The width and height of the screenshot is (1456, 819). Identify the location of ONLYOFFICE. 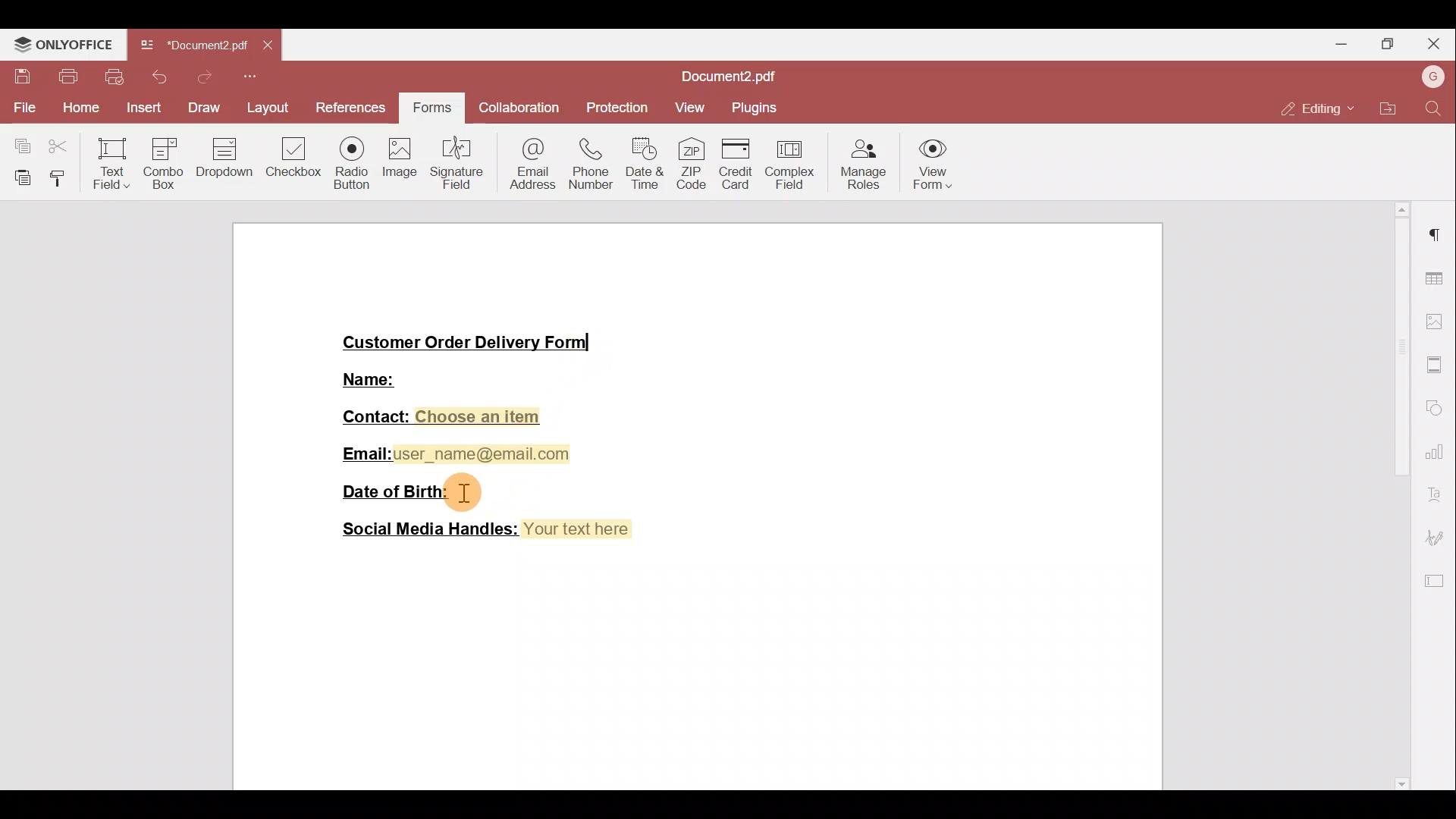
(63, 42).